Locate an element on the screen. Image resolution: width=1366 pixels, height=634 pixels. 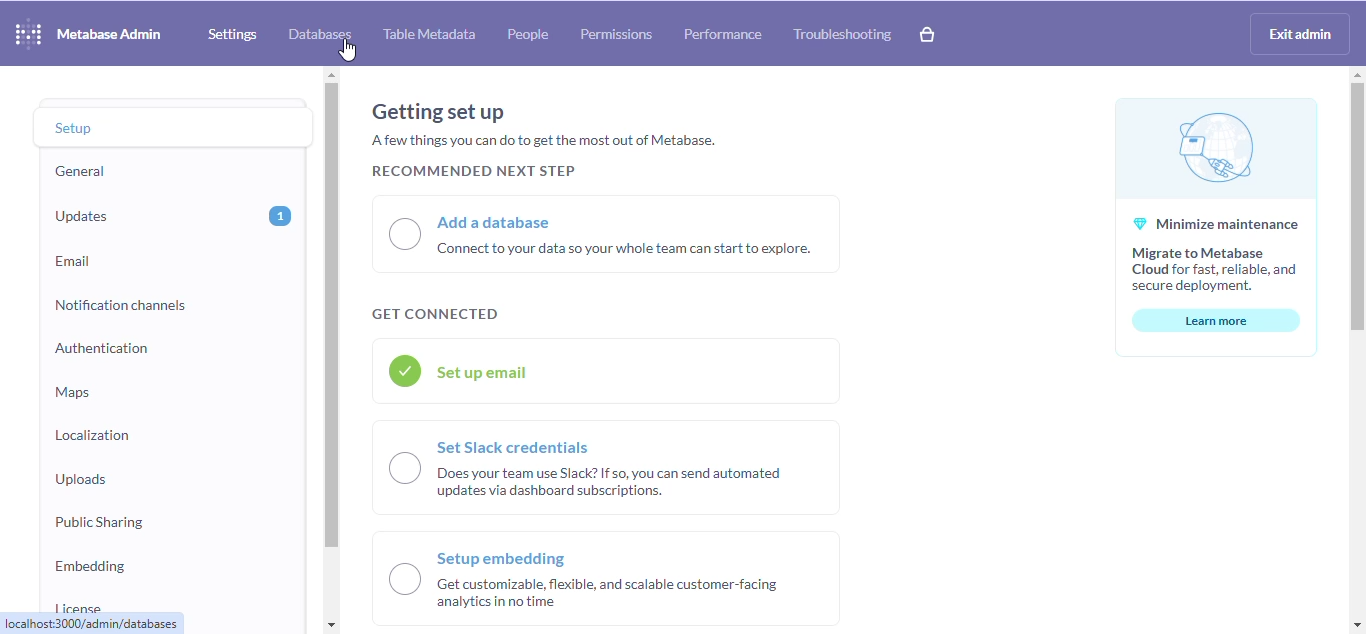
getting set up is located at coordinates (437, 112).